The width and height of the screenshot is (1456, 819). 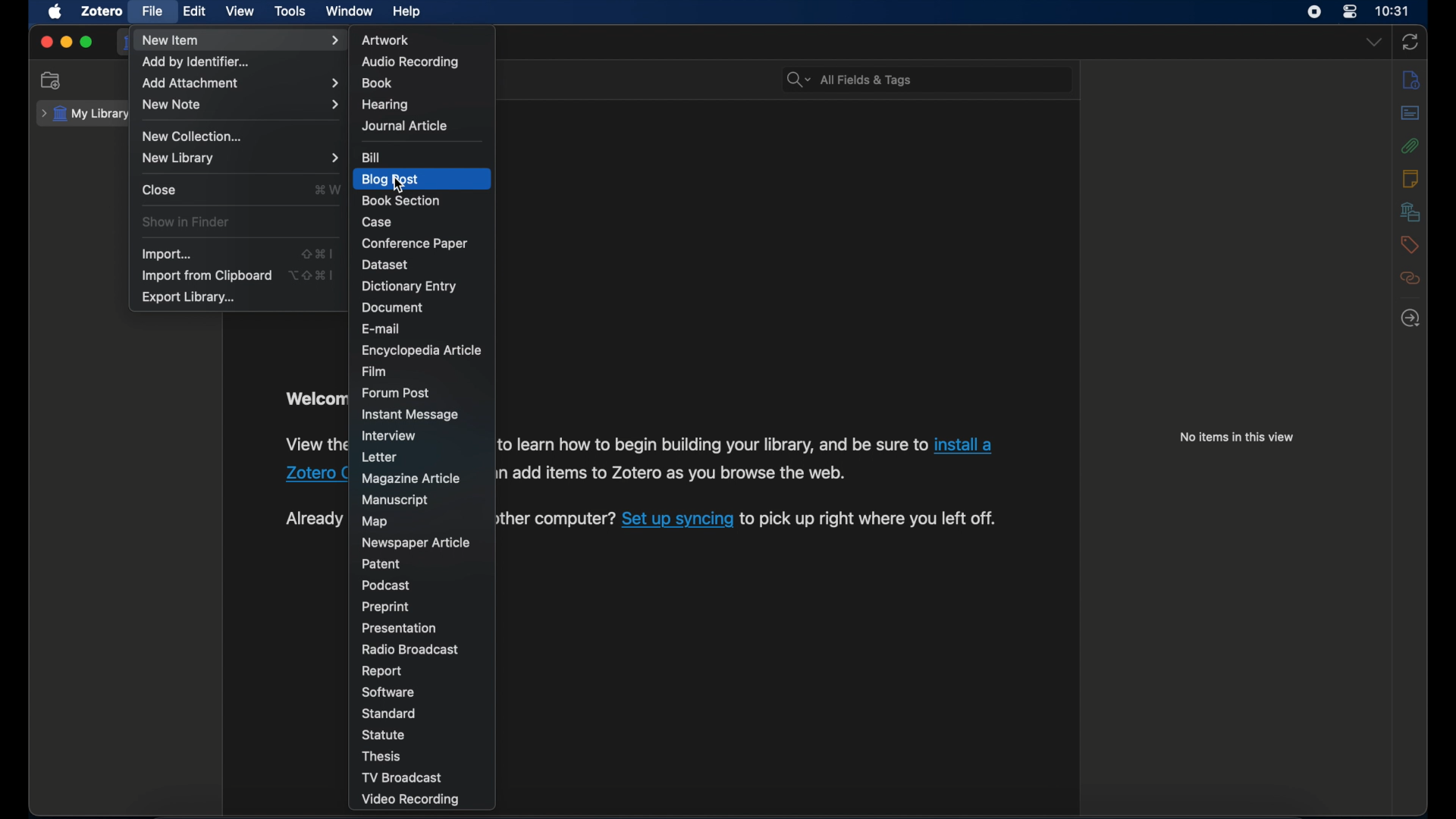 I want to click on , so click(x=868, y=519).